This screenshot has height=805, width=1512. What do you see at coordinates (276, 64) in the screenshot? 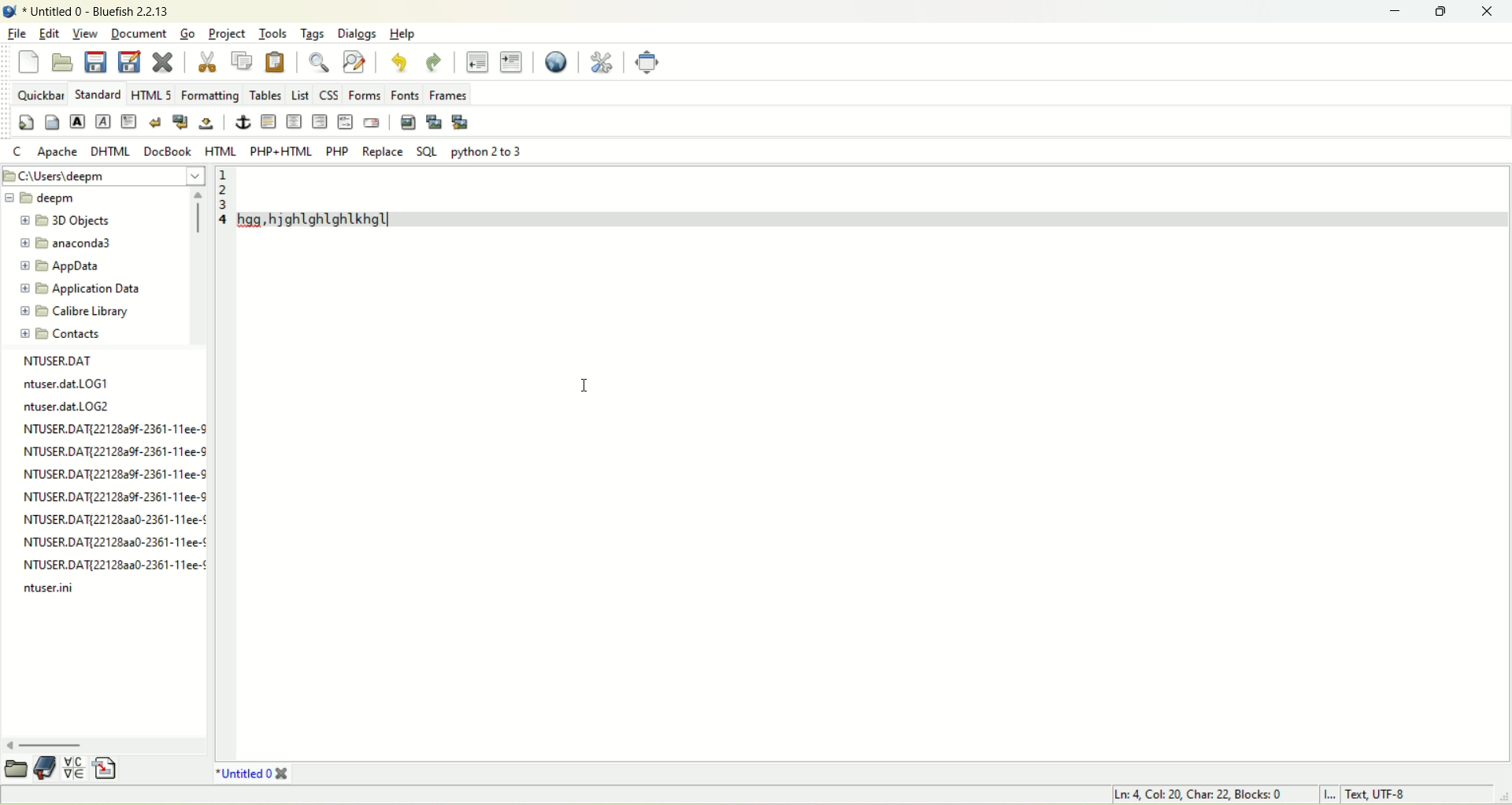
I see `paste` at bounding box center [276, 64].